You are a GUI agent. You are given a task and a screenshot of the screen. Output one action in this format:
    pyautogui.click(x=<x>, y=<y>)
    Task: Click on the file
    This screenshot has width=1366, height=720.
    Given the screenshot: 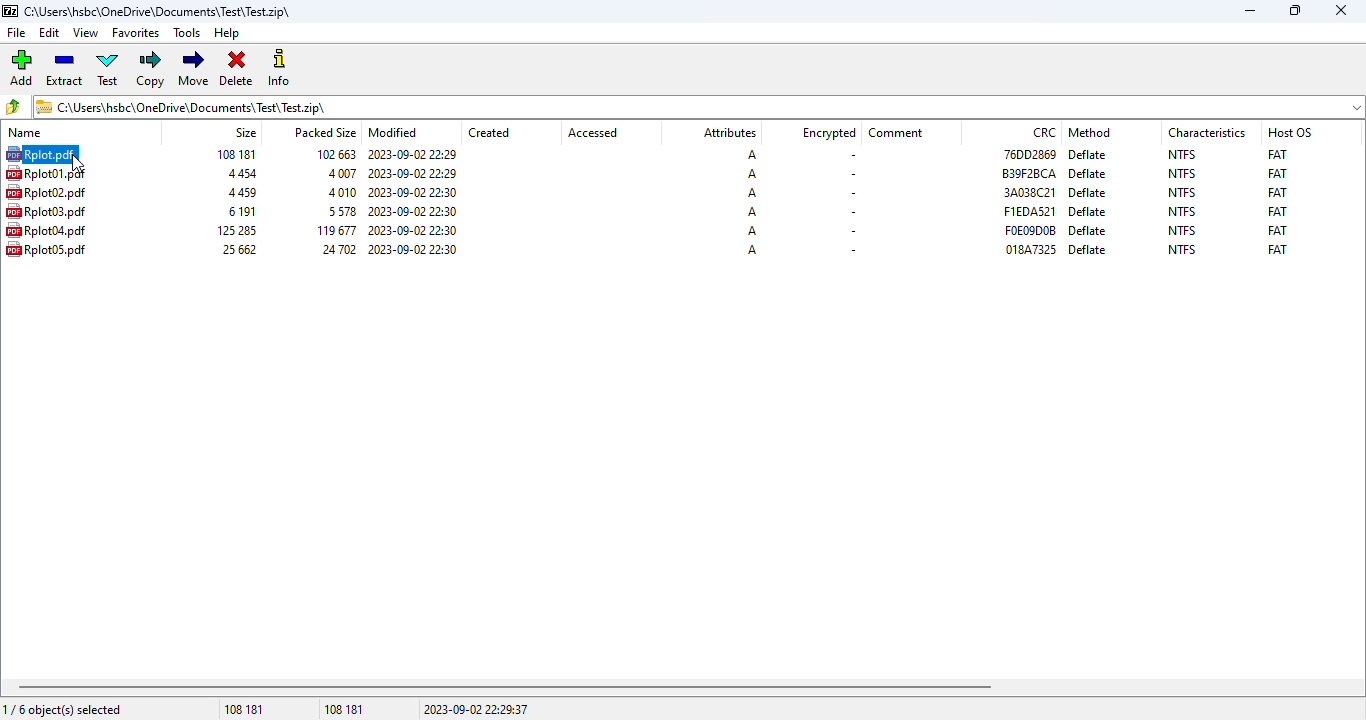 What is the action you would take?
    pyautogui.click(x=46, y=248)
    